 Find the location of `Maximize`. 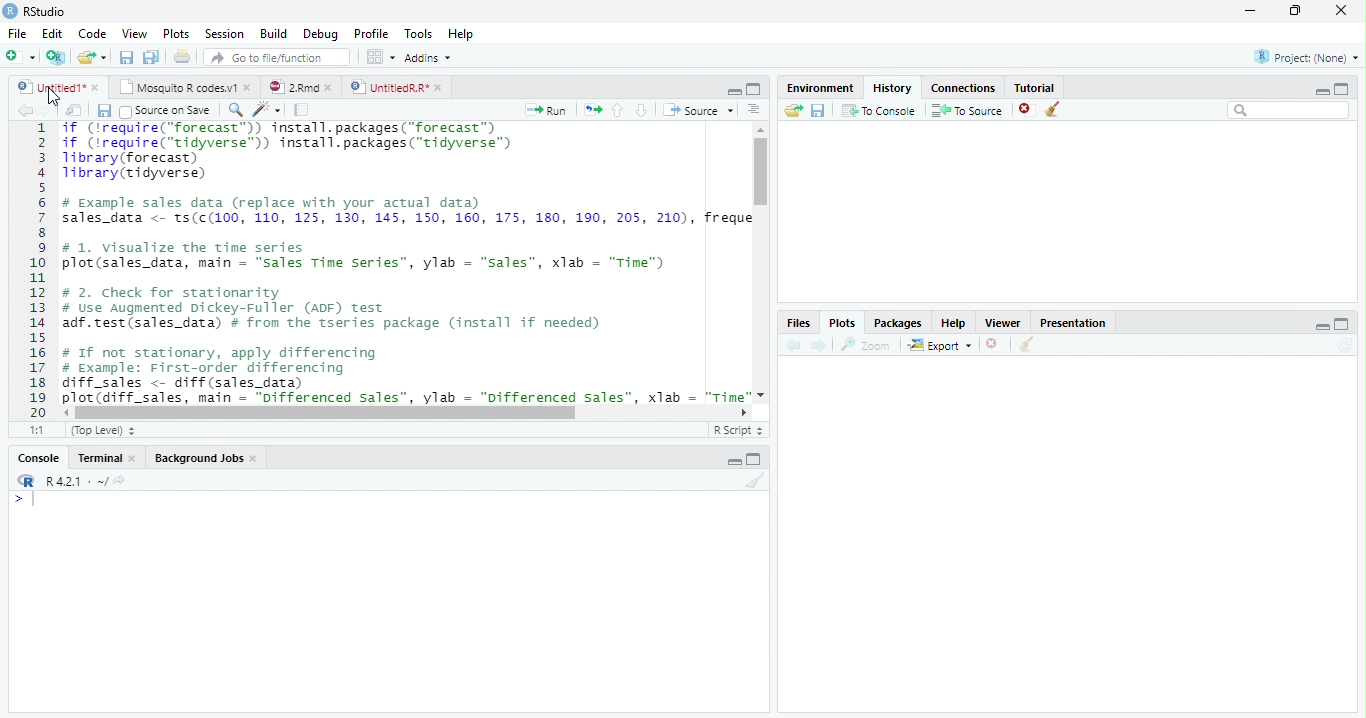

Maximize is located at coordinates (756, 460).